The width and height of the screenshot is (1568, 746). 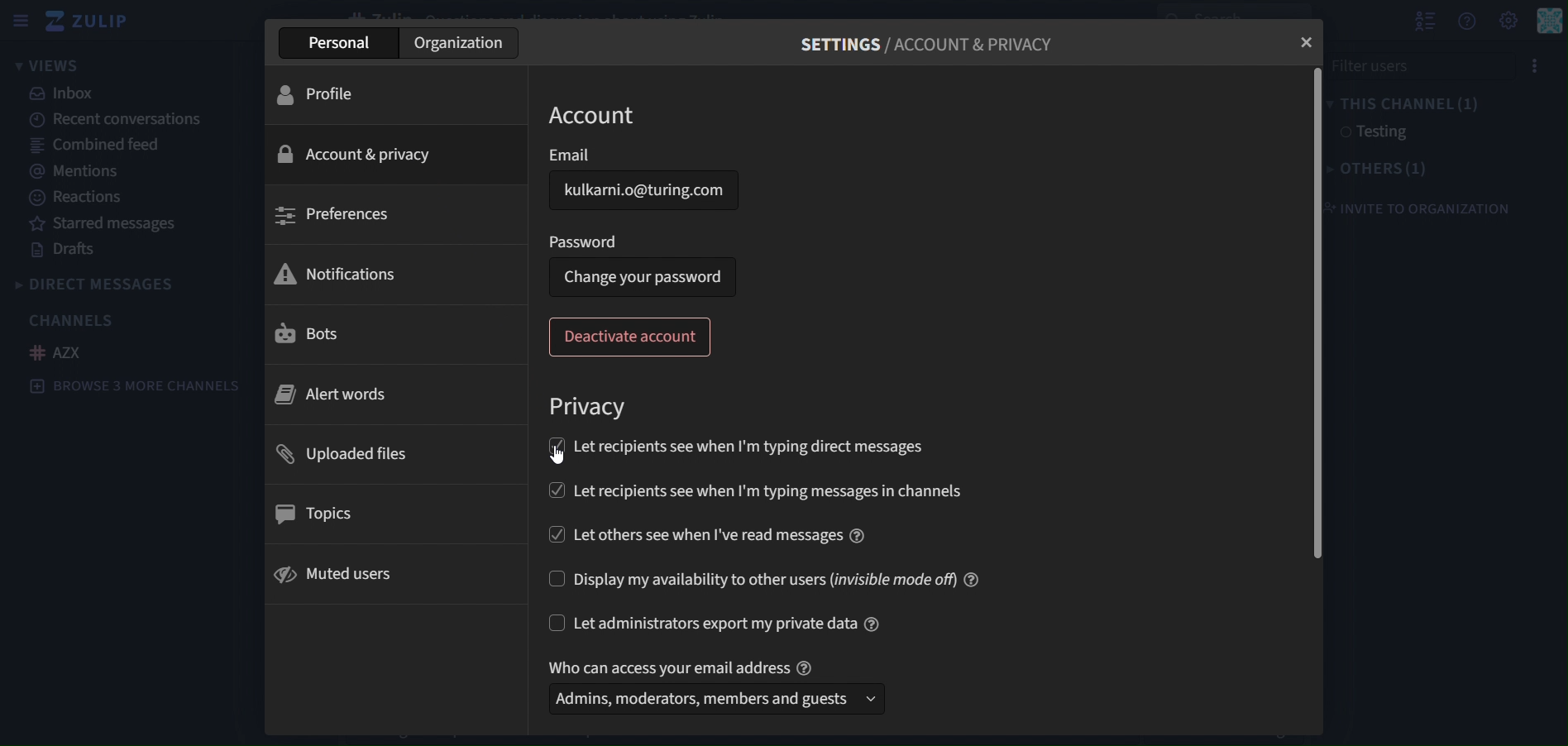 I want to click on muted users, so click(x=341, y=572).